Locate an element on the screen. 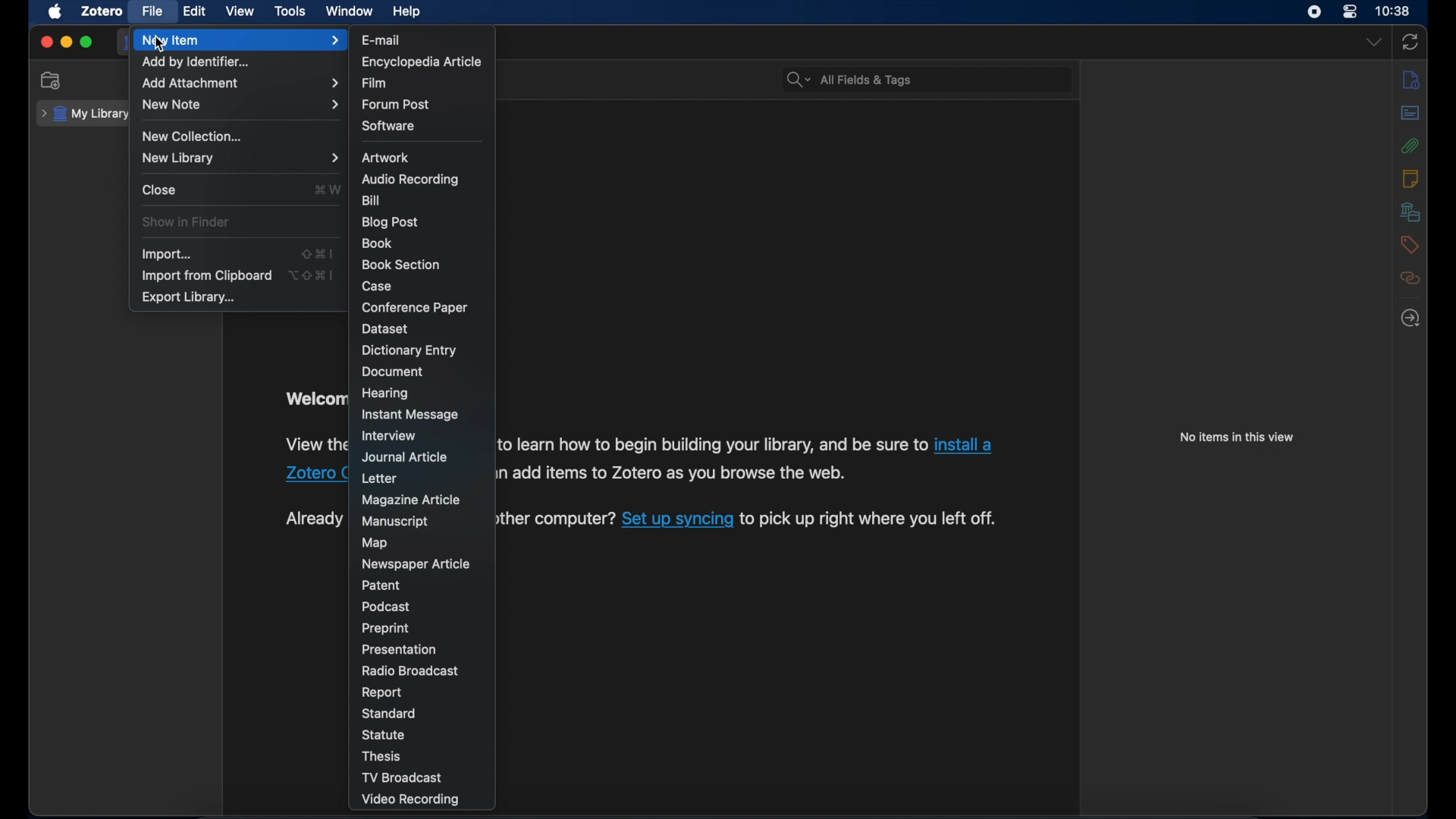  interview is located at coordinates (390, 436).